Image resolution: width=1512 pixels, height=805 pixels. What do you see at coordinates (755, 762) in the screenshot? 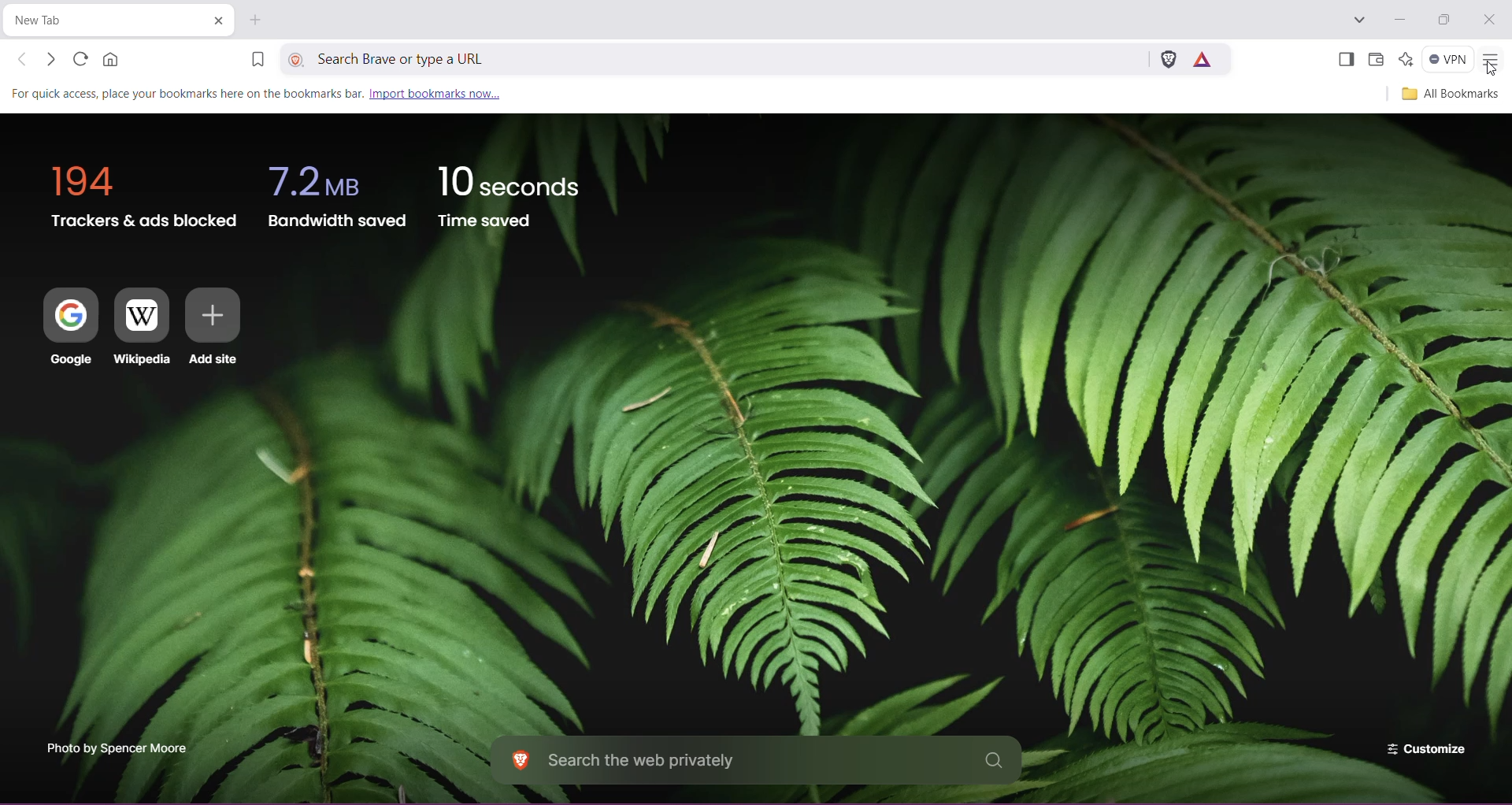
I see `Search the web privately` at bounding box center [755, 762].